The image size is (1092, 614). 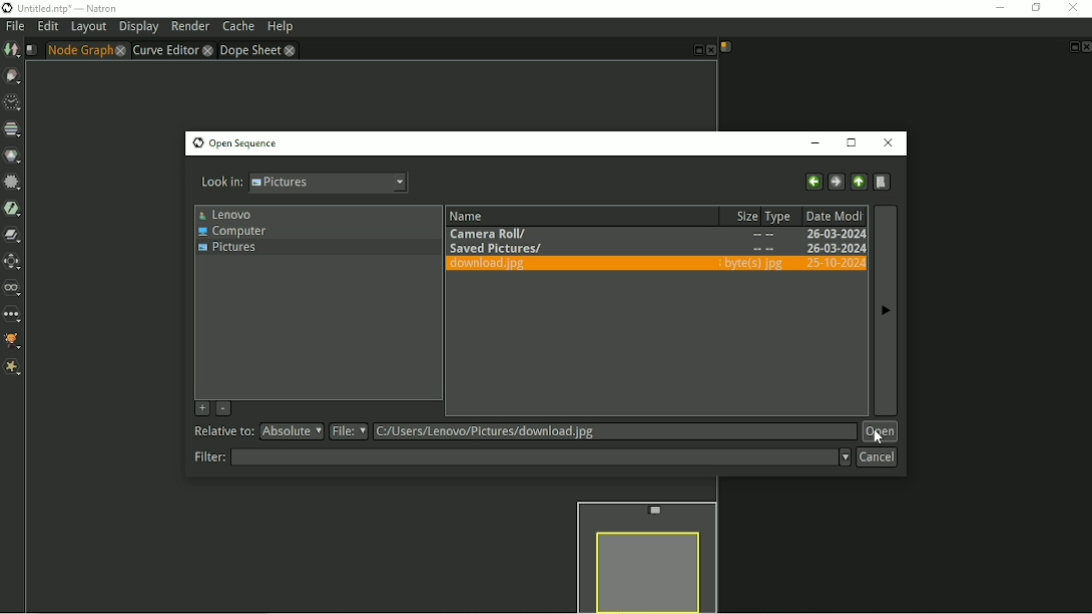 What do you see at coordinates (835, 182) in the screenshot?
I see `Go forward` at bounding box center [835, 182].